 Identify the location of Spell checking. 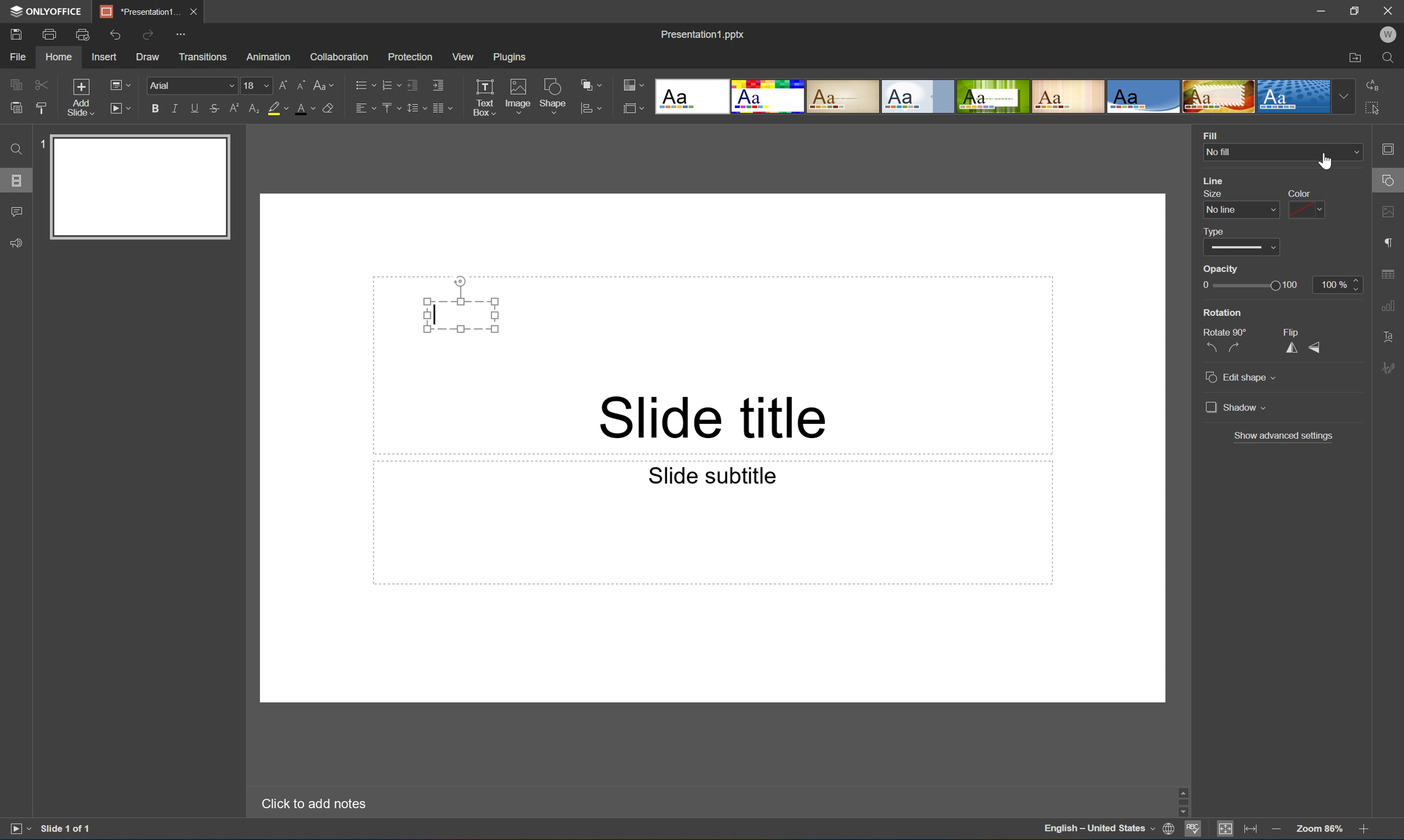
(1193, 830).